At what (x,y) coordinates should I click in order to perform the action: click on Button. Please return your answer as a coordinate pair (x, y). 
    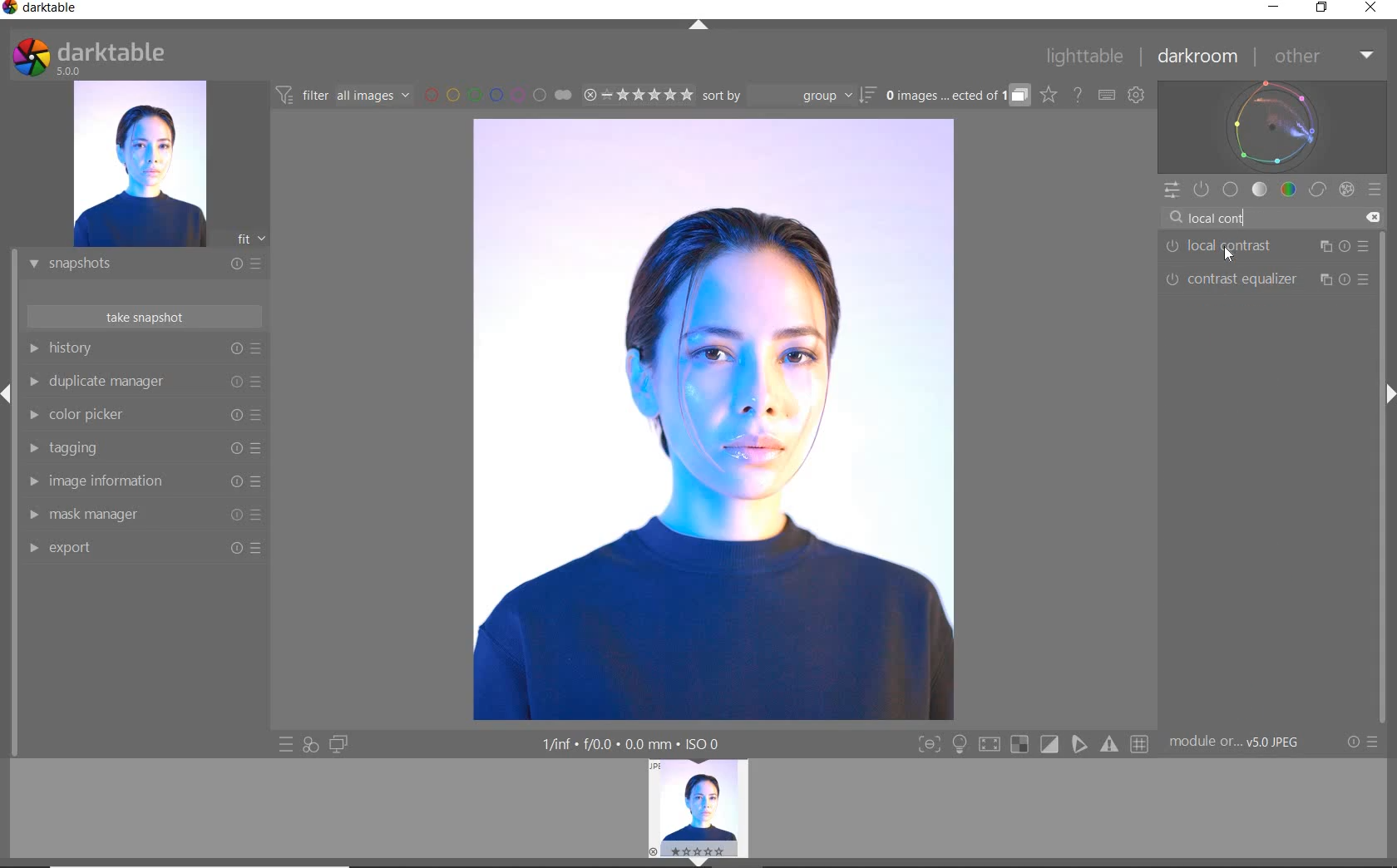
    Looking at the image, I should click on (989, 747).